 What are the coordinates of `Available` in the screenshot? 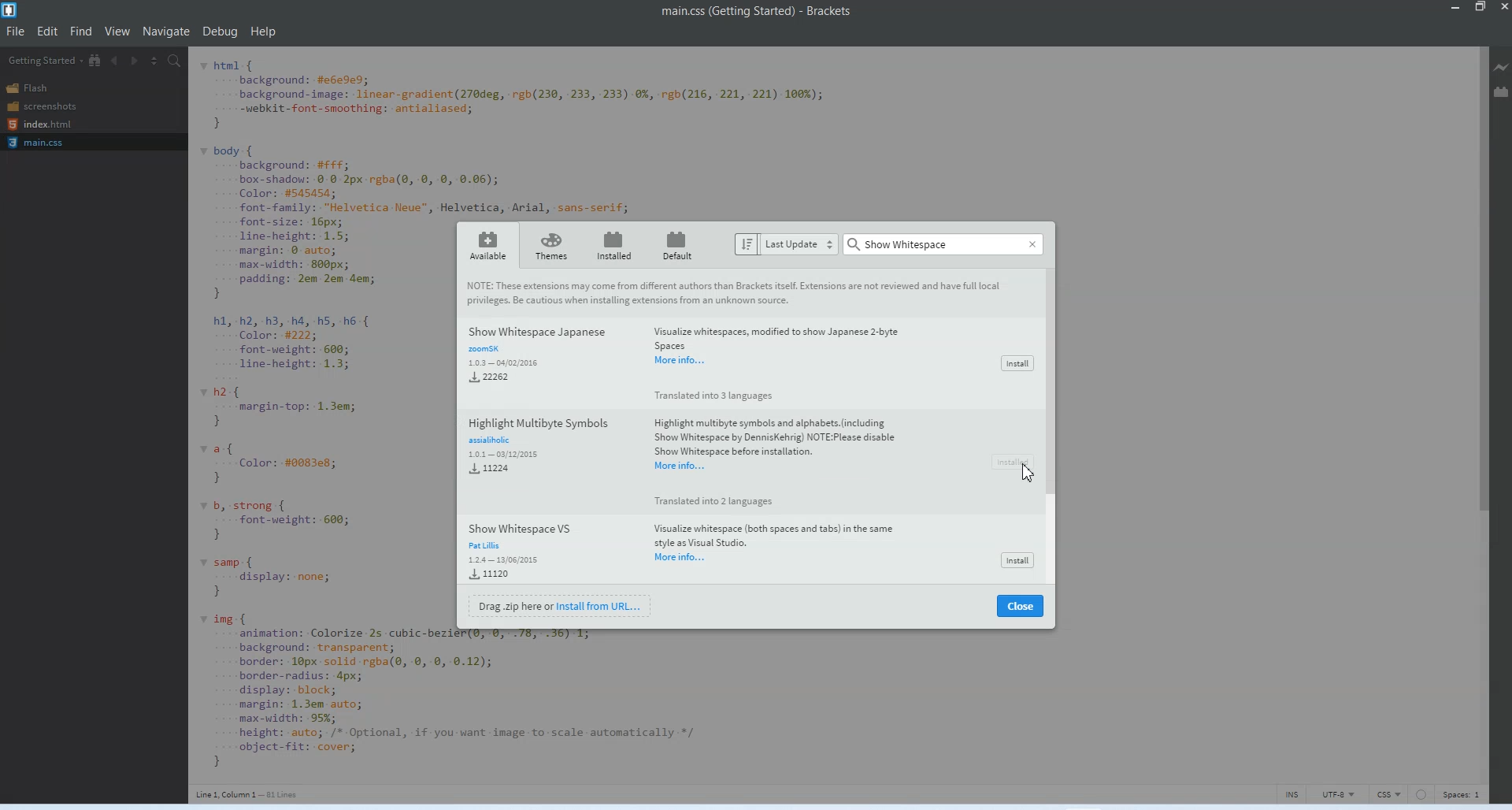 It's located at (487, 244).